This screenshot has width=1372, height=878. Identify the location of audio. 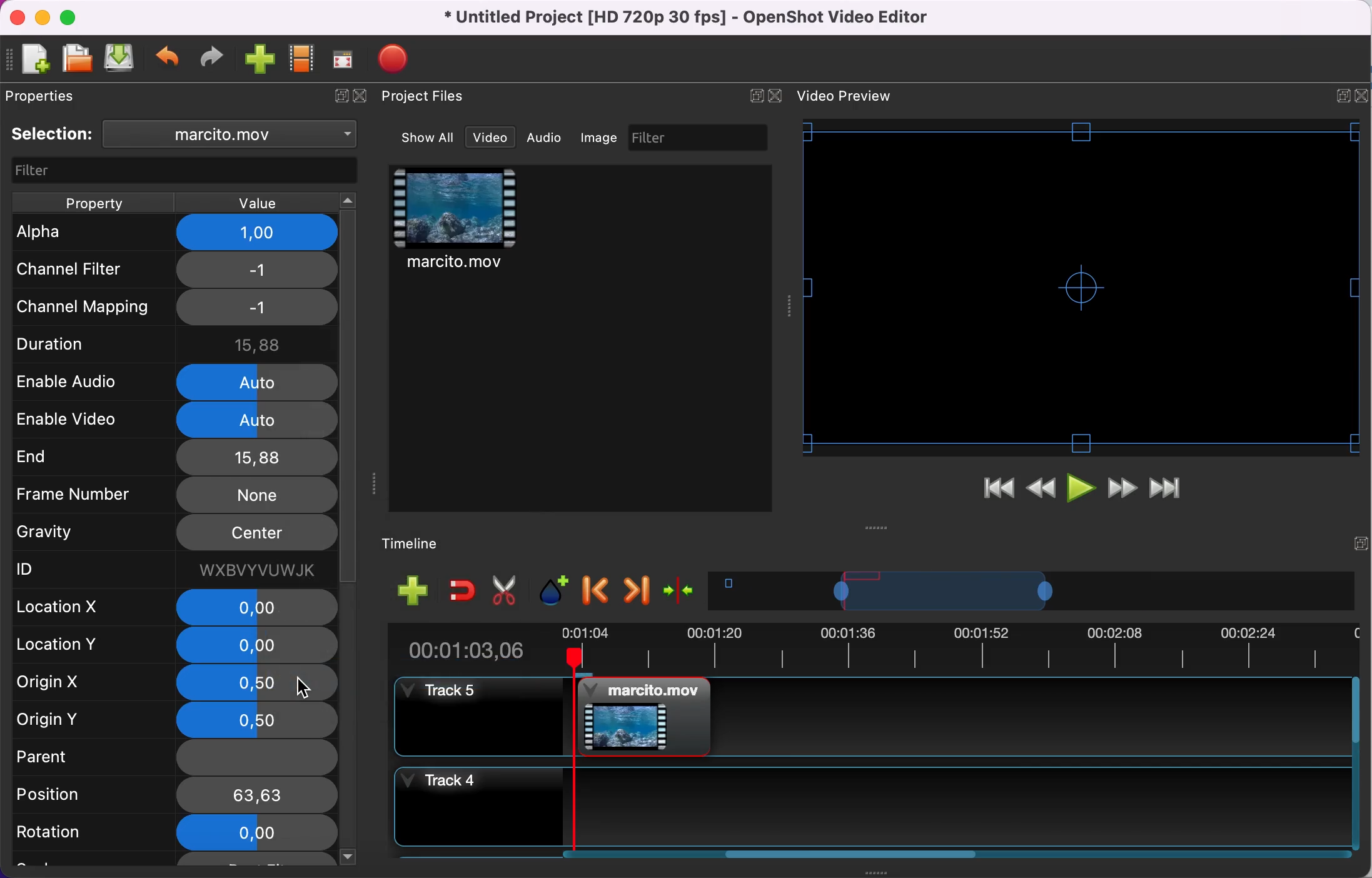
(545, 137).